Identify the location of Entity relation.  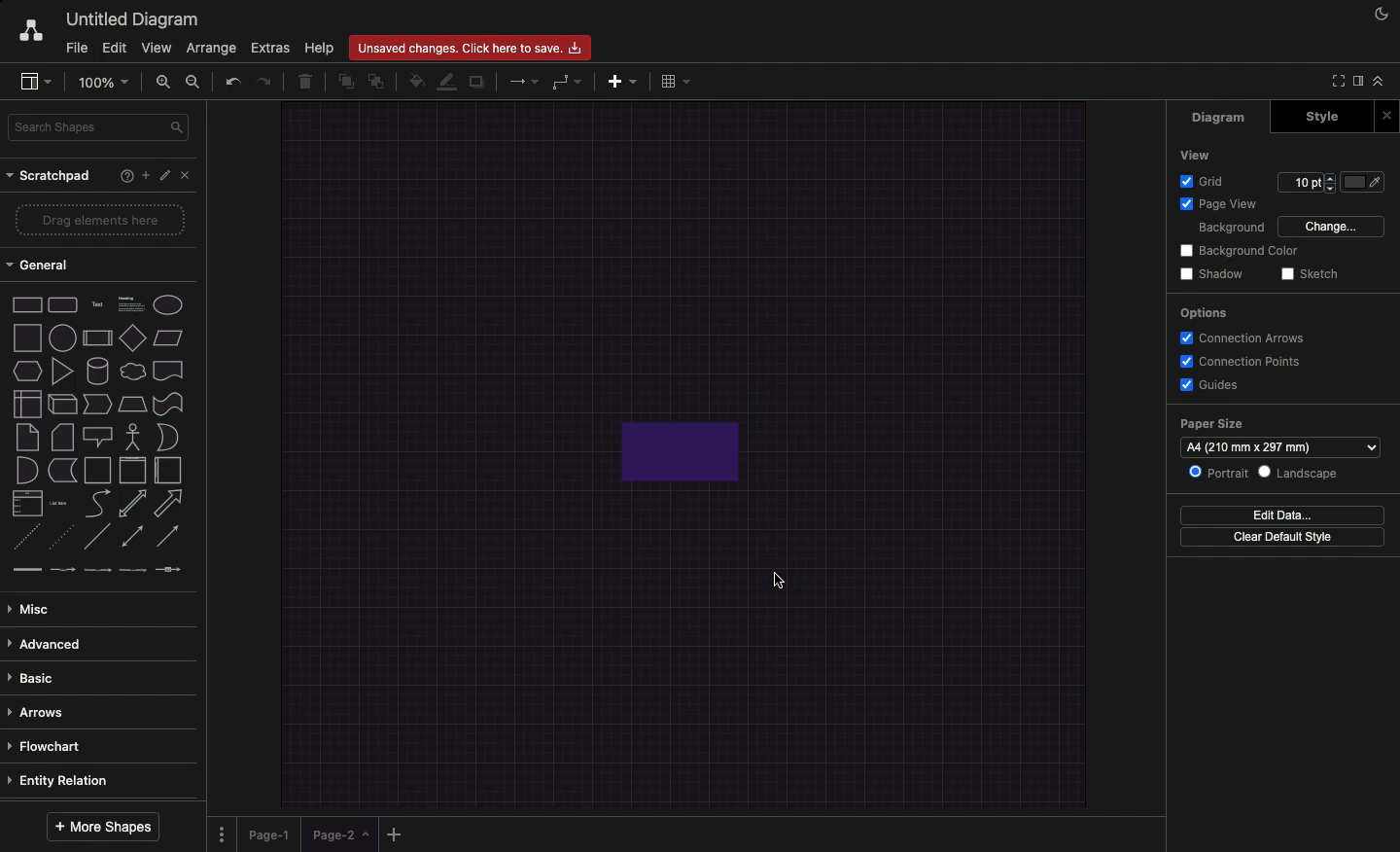
(62, 778).